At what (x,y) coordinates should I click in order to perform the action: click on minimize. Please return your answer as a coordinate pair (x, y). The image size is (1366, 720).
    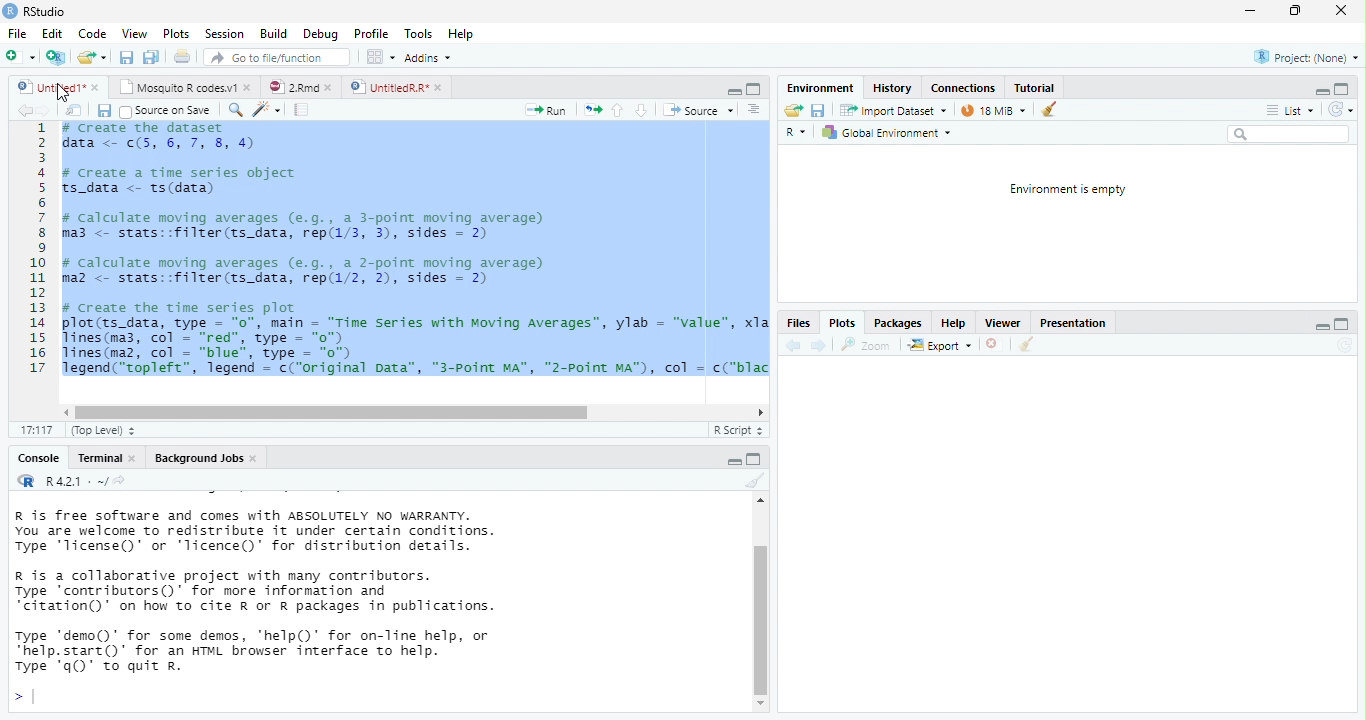
    Looking at the image, I should click on (1249, 12).